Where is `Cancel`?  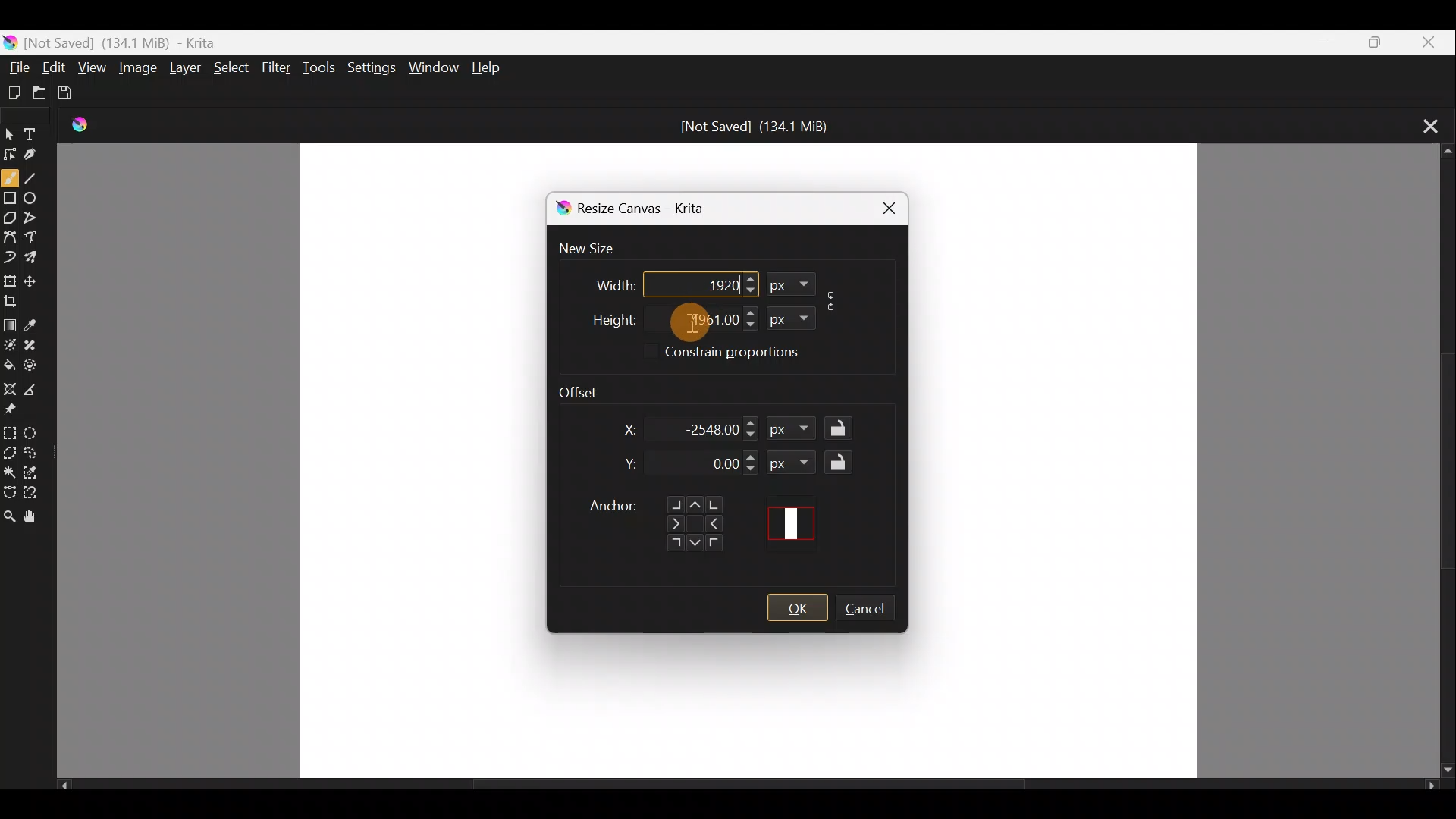 Cancel is located at coordinates (873, 610).